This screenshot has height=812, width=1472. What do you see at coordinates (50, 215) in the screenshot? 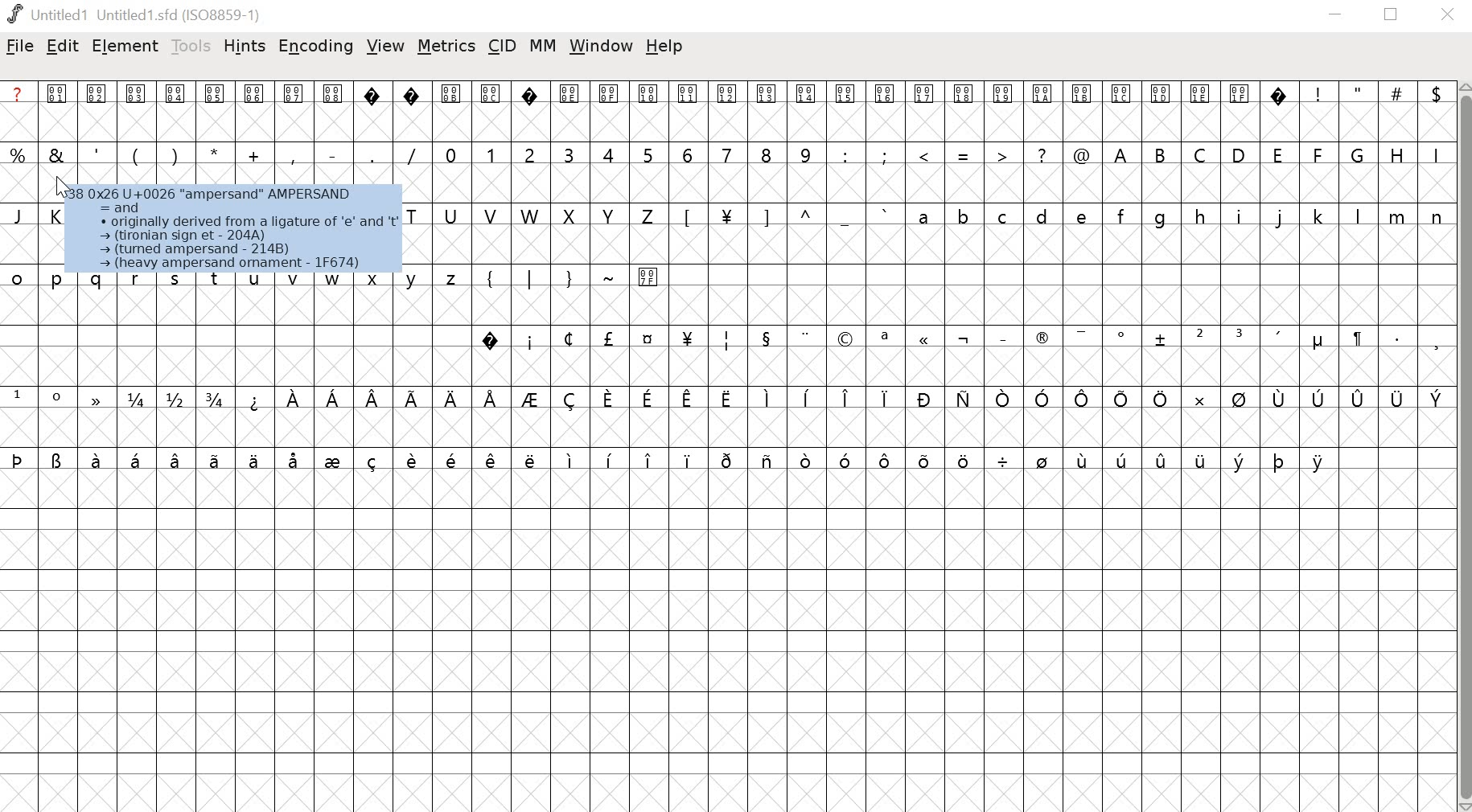
I see `K` at bounding box center [50, 215].